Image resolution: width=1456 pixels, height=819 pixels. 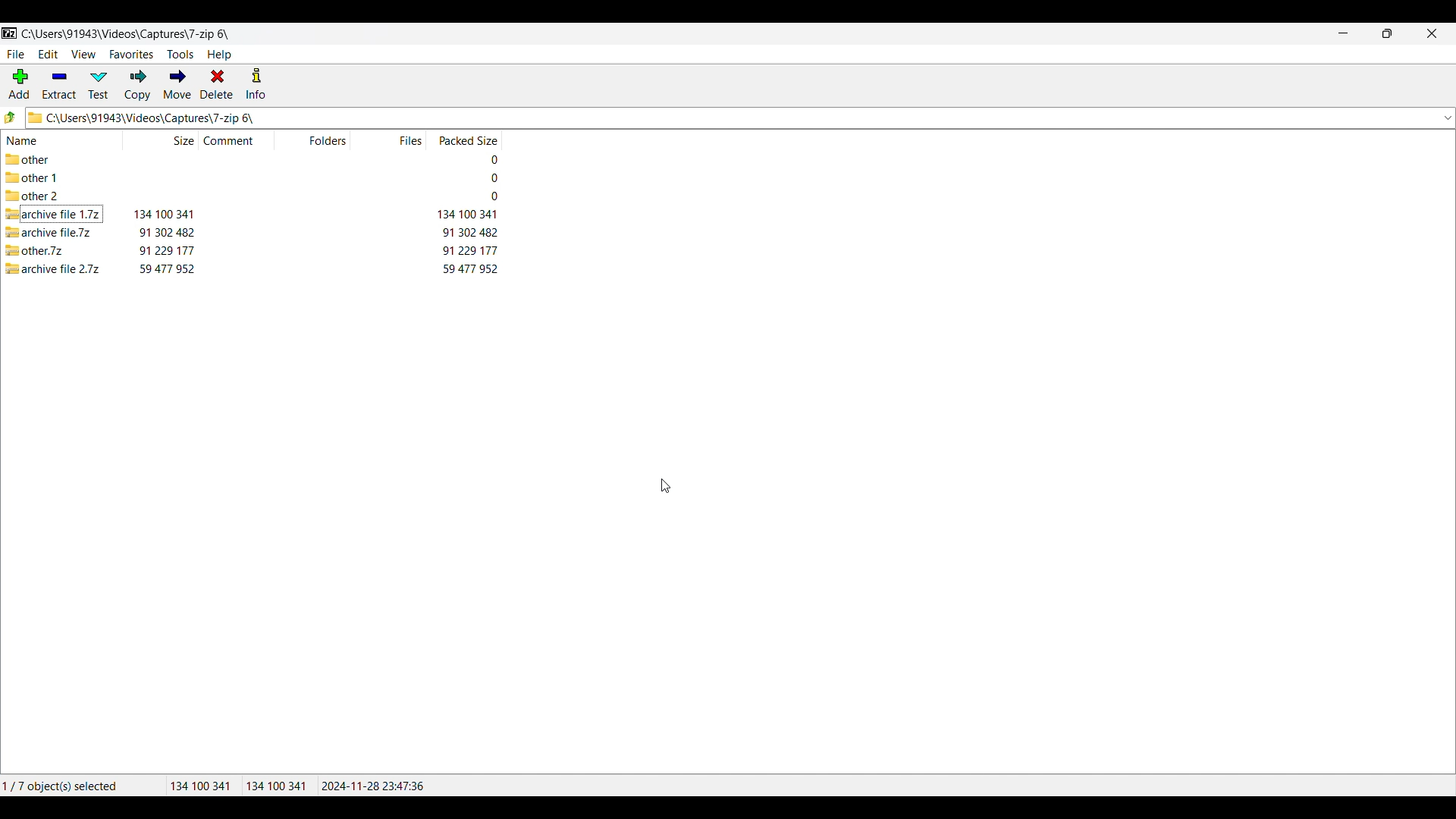 I want to click on archive file 2.7z , so click(x=55, y=268).